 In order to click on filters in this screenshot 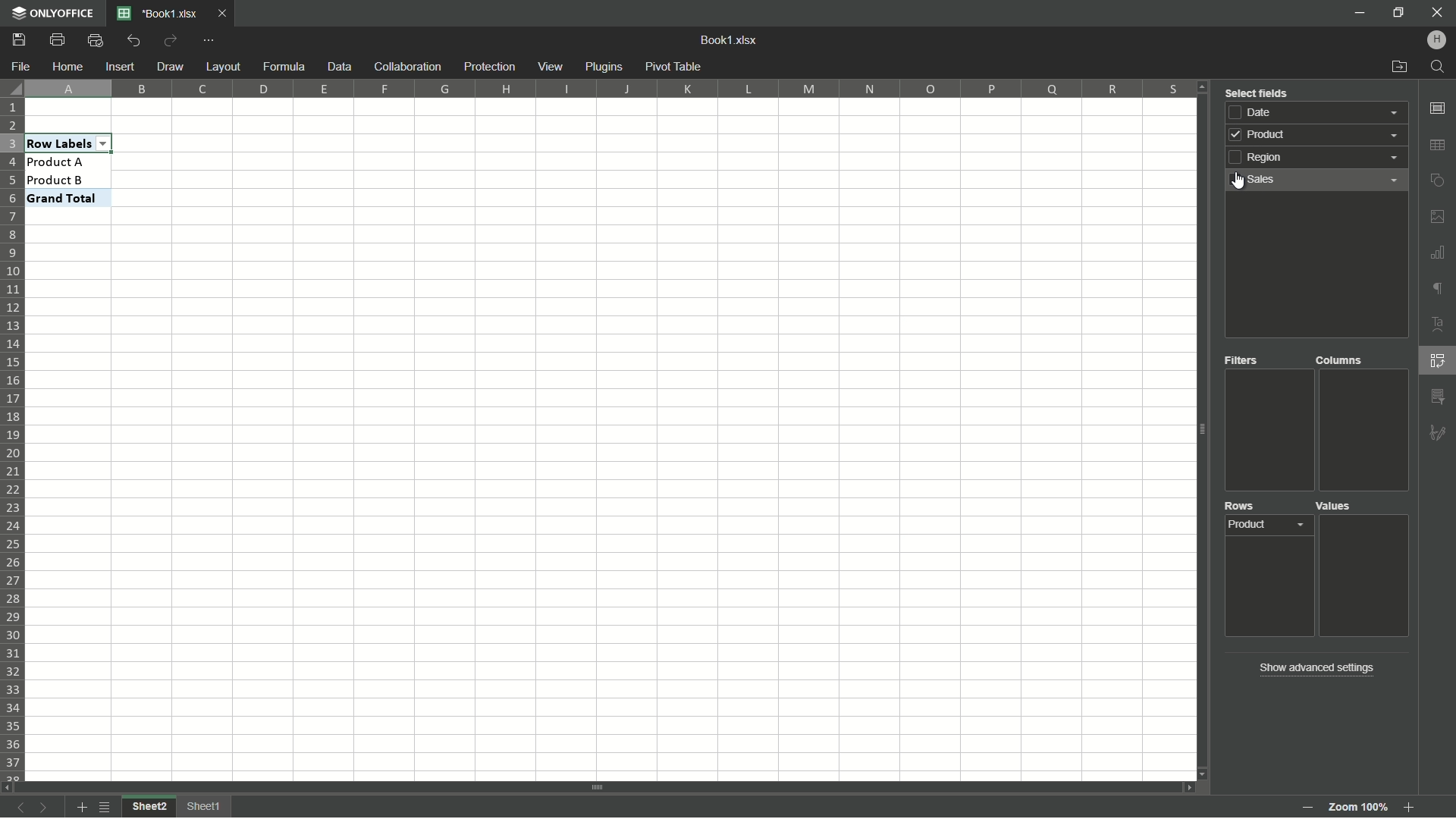, I will do `click(1244, 362)`.